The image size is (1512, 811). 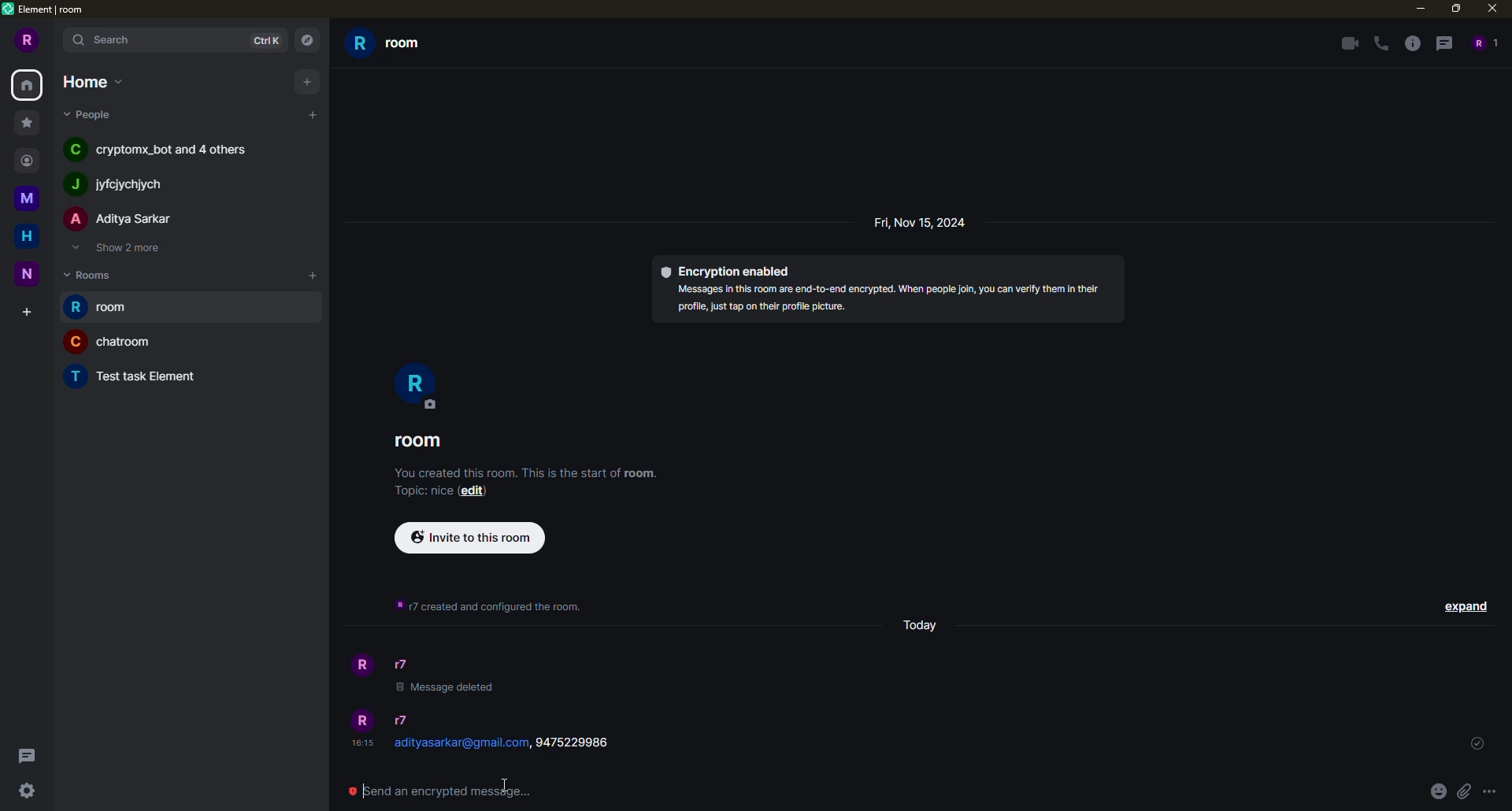 I want to click on more, so click(x=1488, y=791).